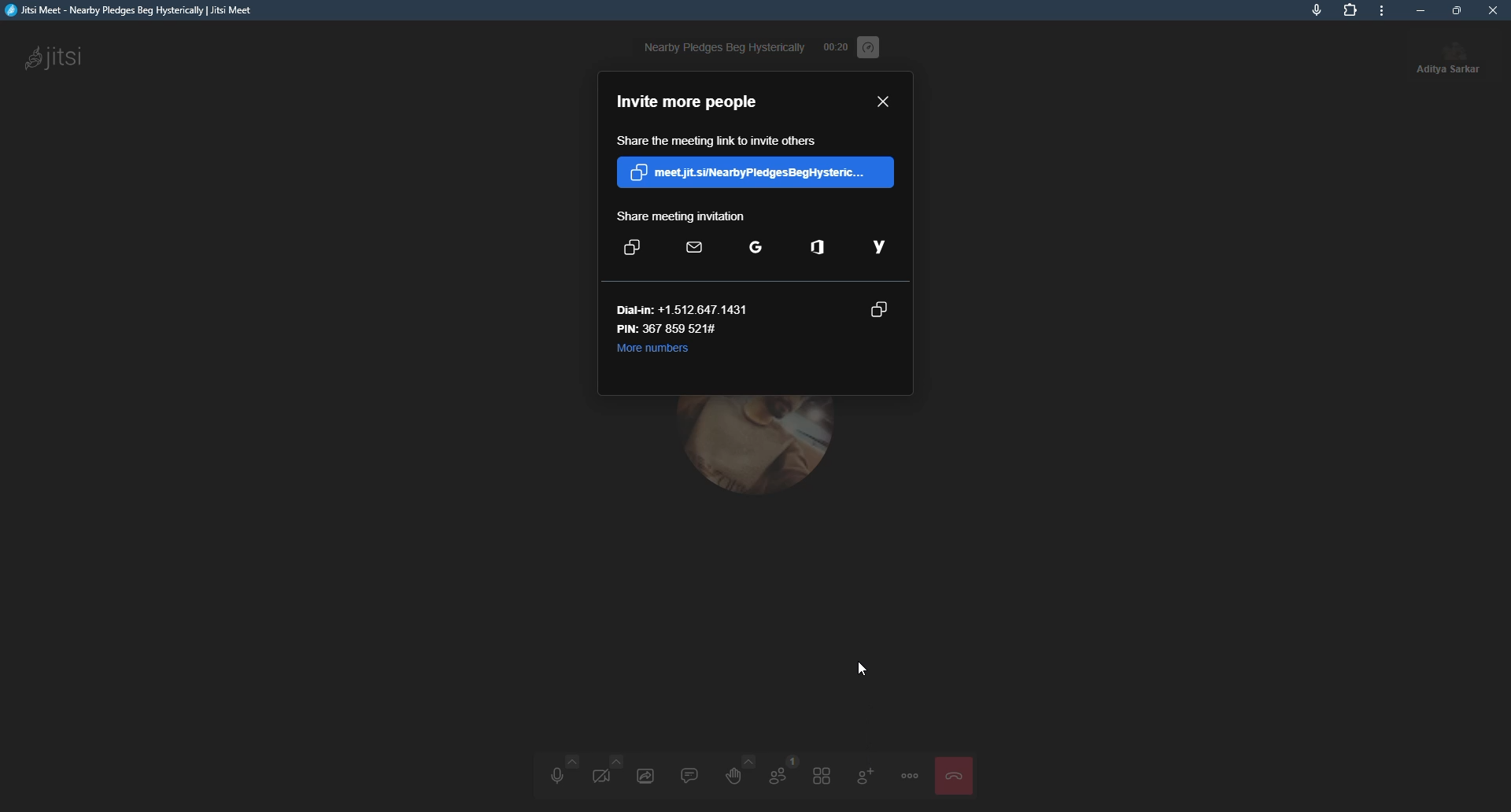 The height and width of the screenshot is (812, 1511). Describe the element at coordinates (778, 454) in the screenshot. I see `profile` at that location.